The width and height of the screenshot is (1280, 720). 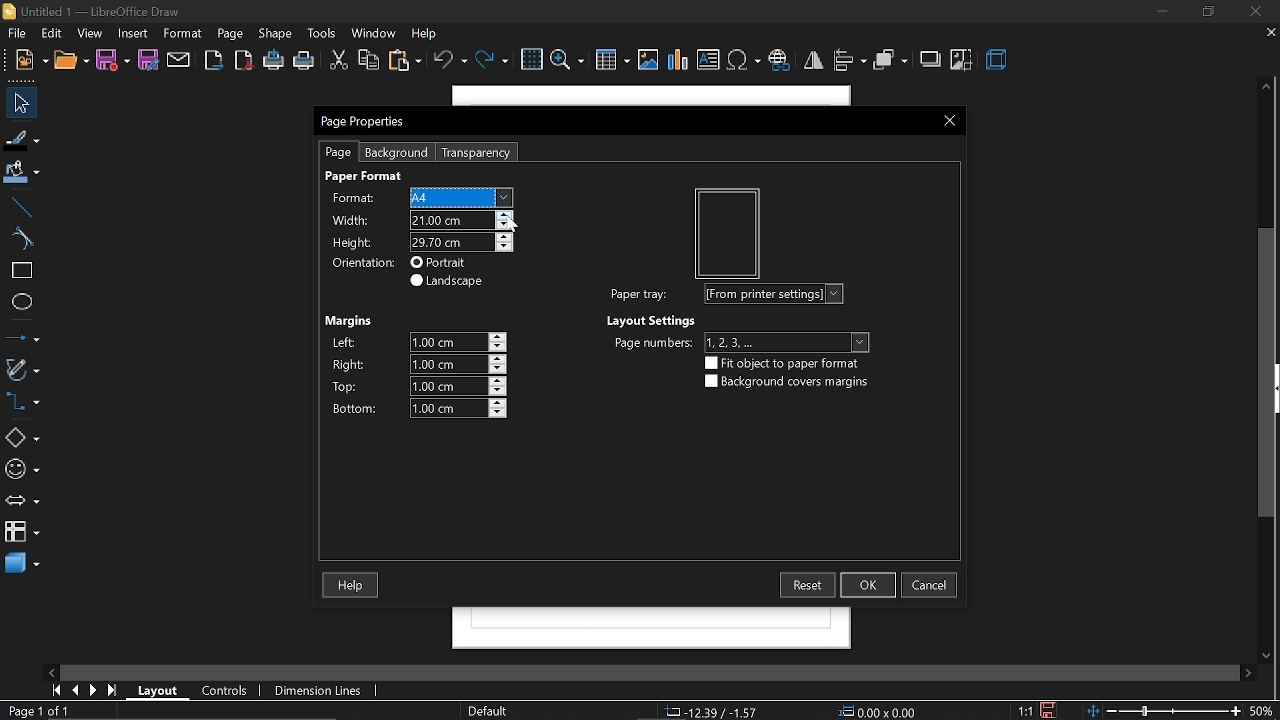 I want to click on shadow, so click(x=930, y=60).